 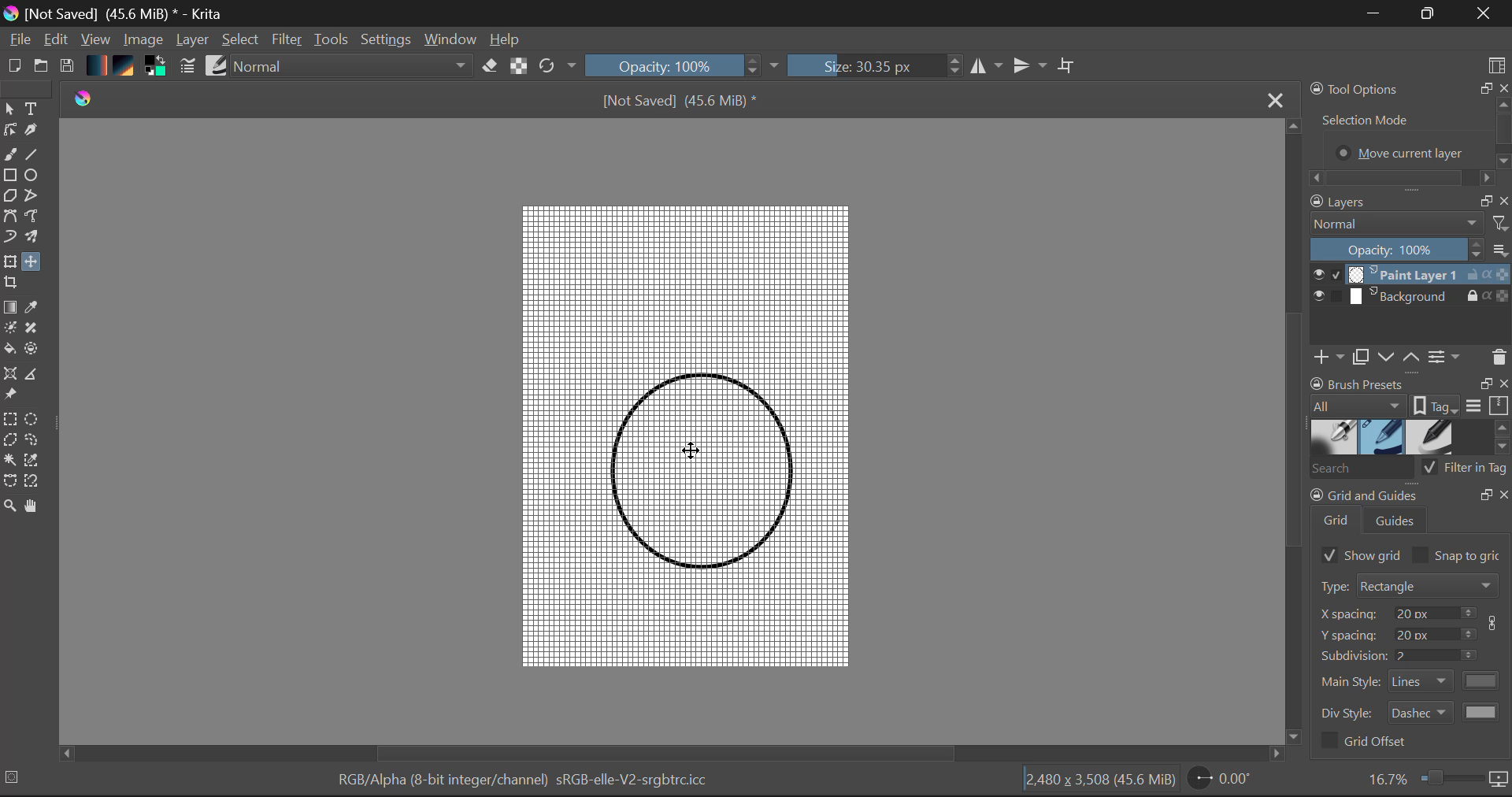 I want to click on Freehand Path Tool, so click(x=38, y=218).